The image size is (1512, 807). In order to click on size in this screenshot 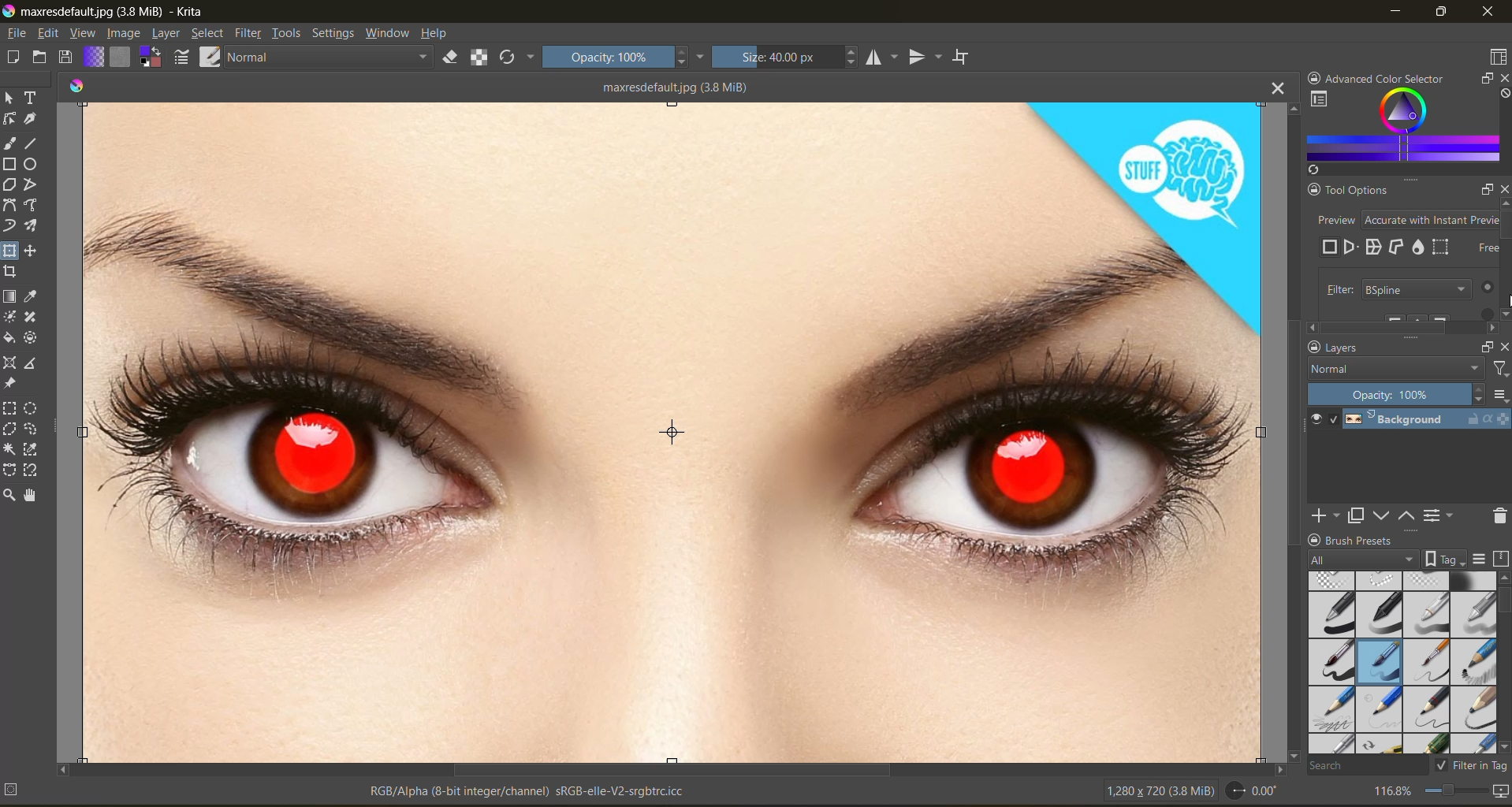, I will do `click(785, 58)`.